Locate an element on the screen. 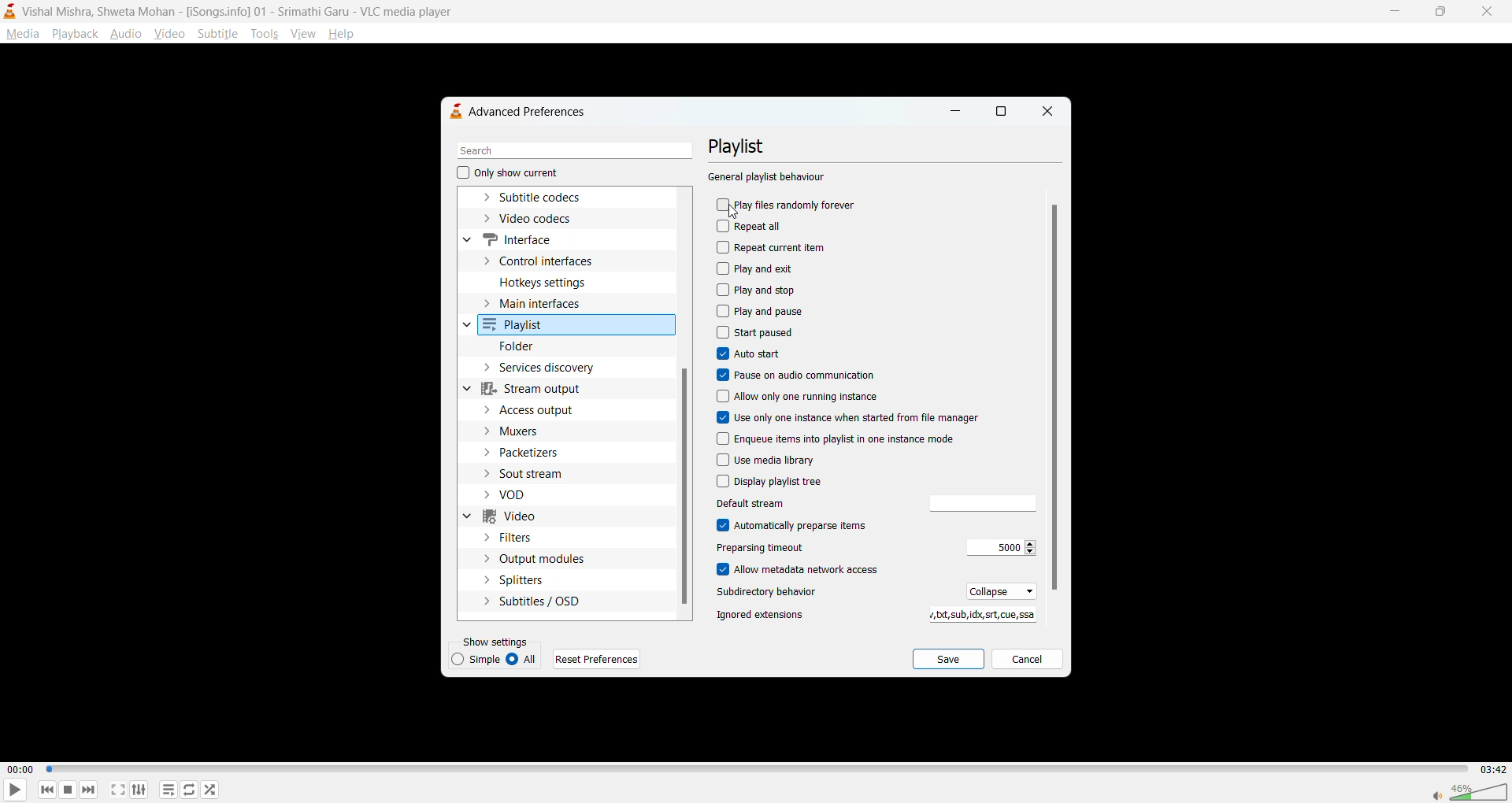 This screenshot has width=1512, height=803. subtitle is located at coordinates (218, 33).